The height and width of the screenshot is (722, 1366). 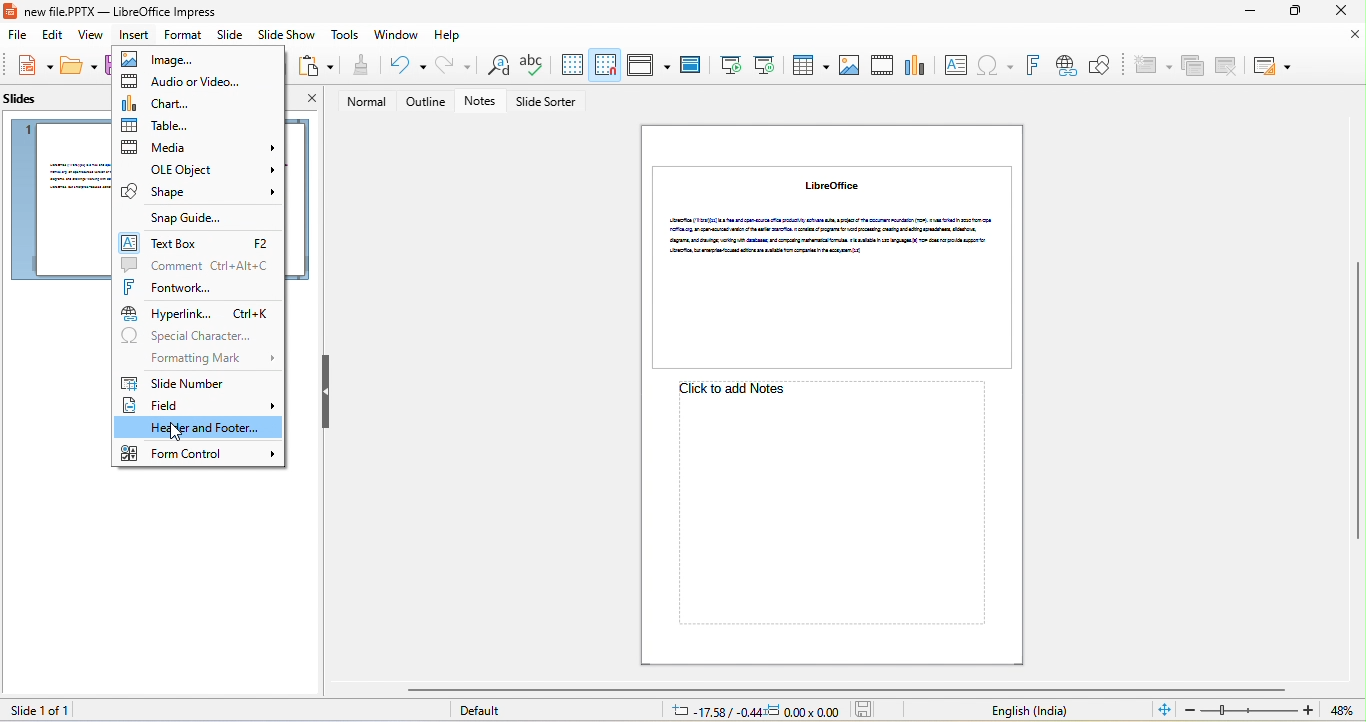 What do you see at coordinates (217, 357) in the screenshot?
I see `formatting mark` at bounding box center [217, 357].